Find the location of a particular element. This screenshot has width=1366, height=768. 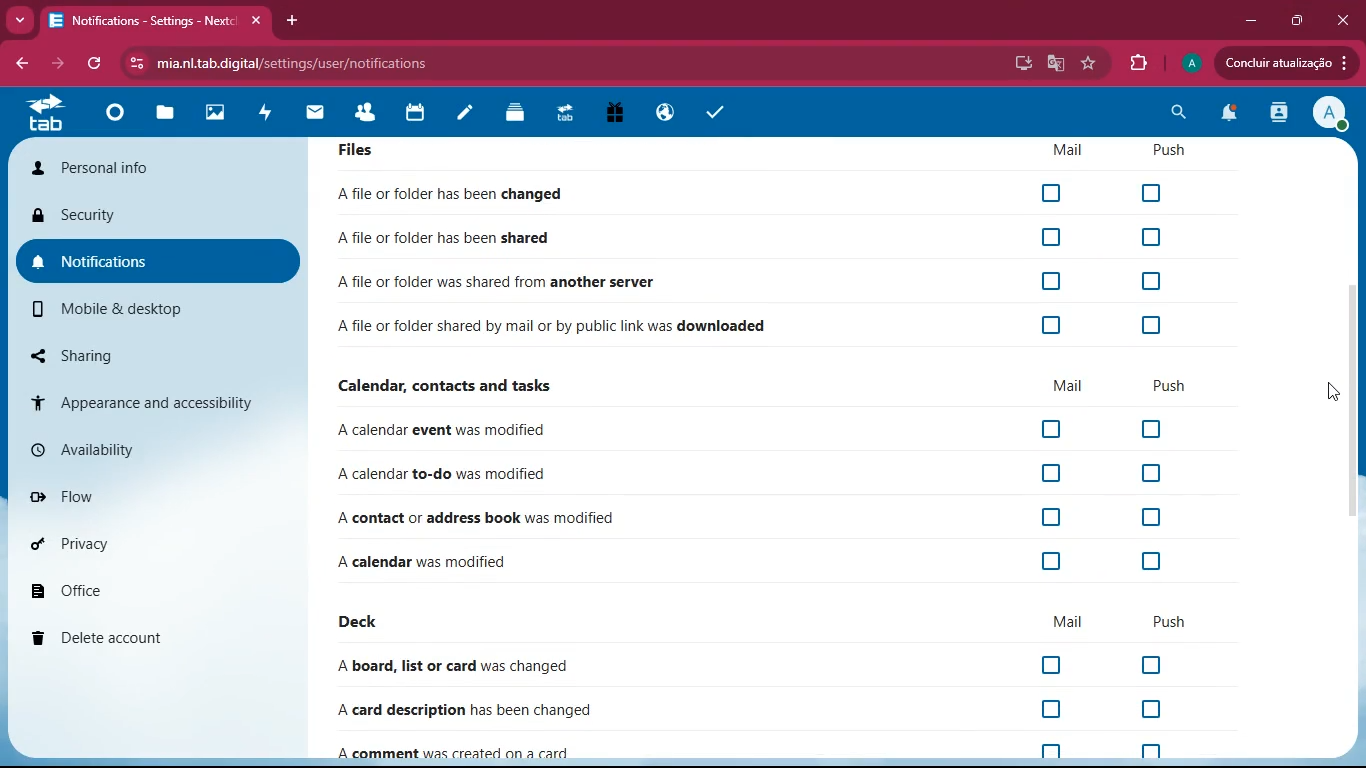

profile is located at coordinates (1189, 63).